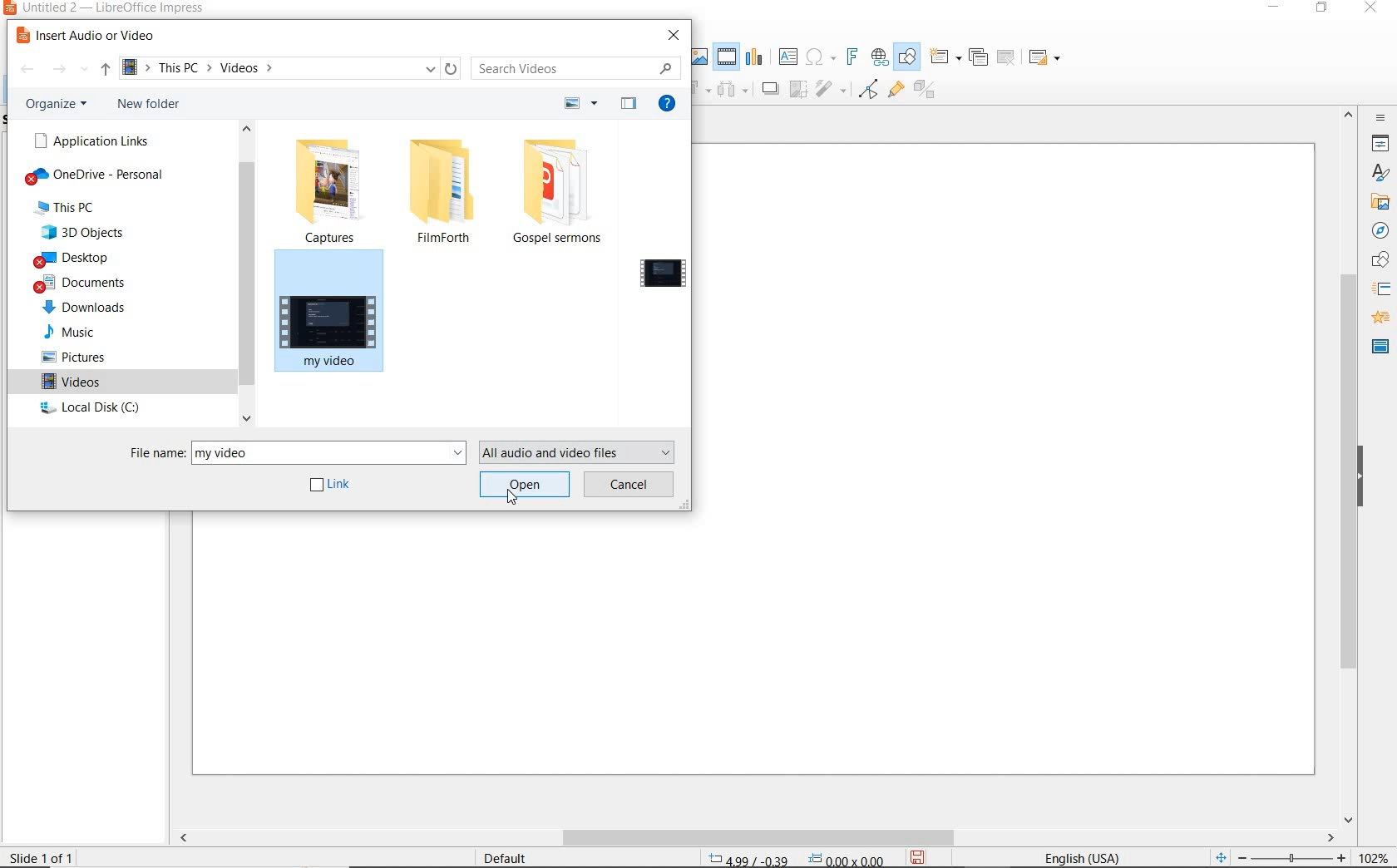 The width and height of the screenshot is (1397, 868). What do you see at coordinates (821, 57) in the screenshot?
I see `INSERT SPECIAL CHARACTERS` at bounding box center [821, 57].